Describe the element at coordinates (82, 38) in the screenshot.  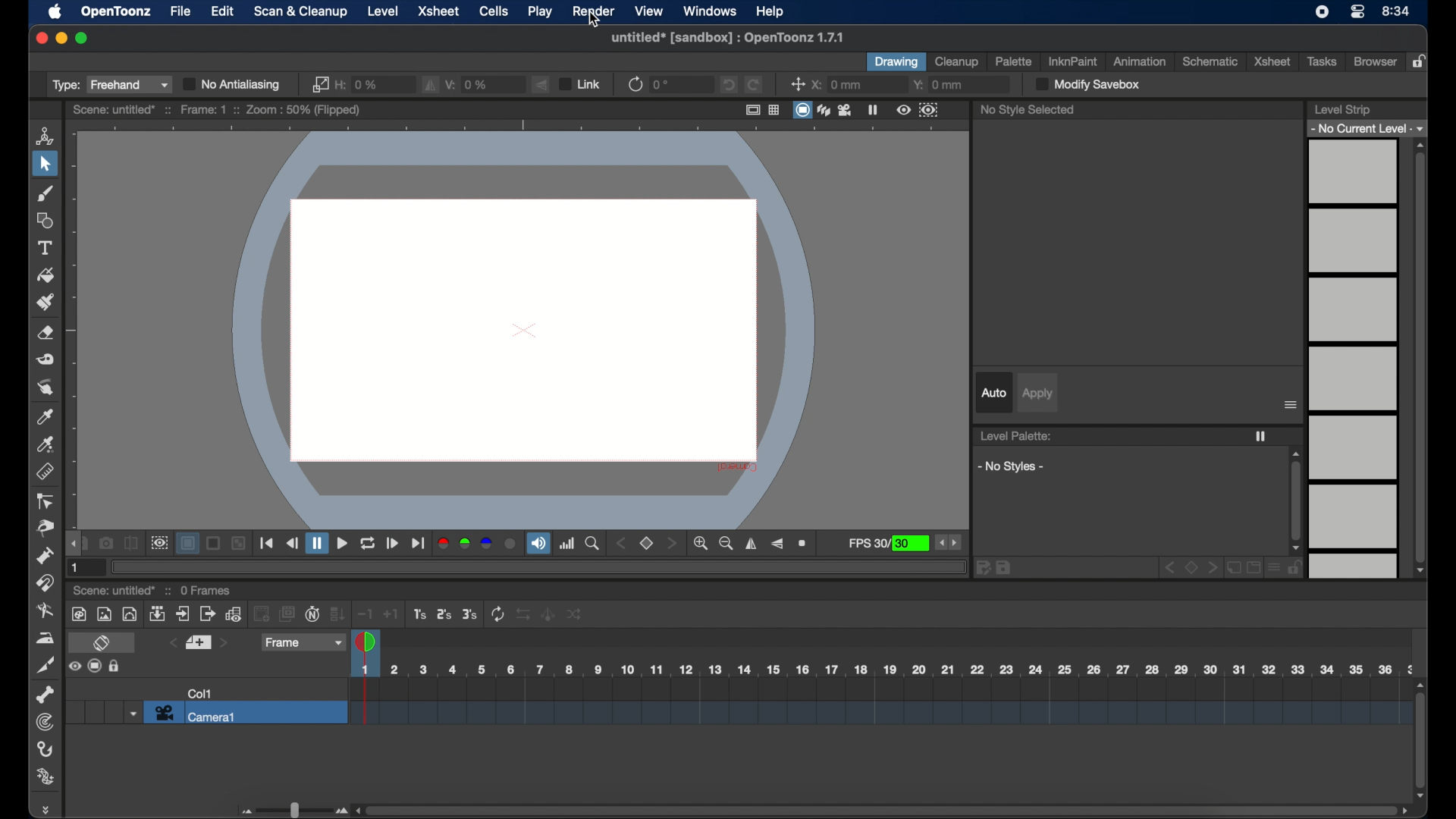
I see `maximize` at that location.